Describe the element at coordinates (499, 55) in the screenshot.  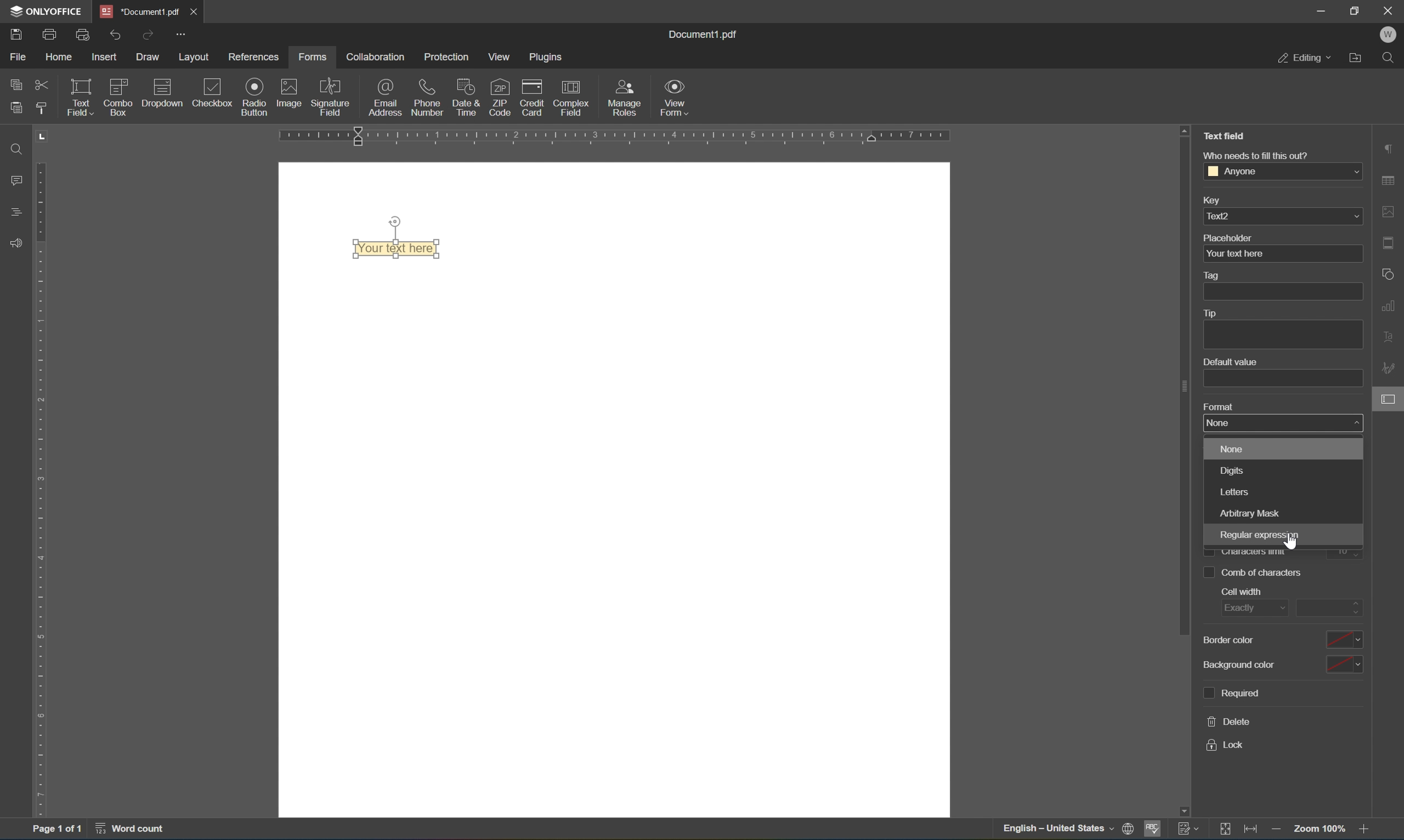
I see `view` at that location.